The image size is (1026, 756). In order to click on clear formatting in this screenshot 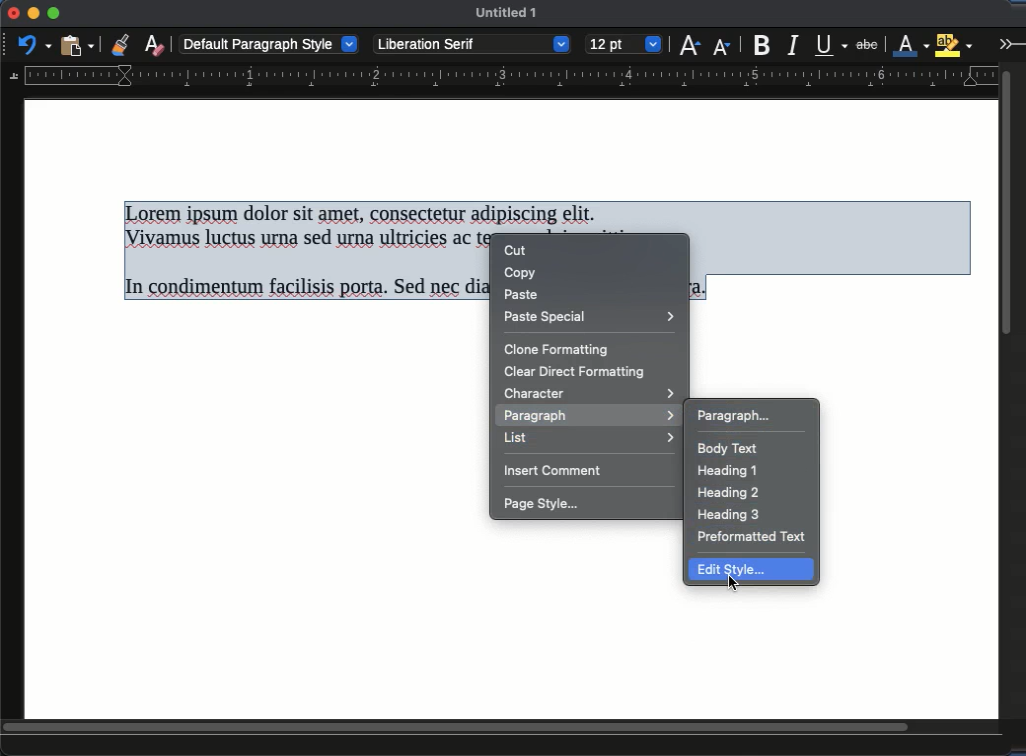, I will do `click(154, 44)`.